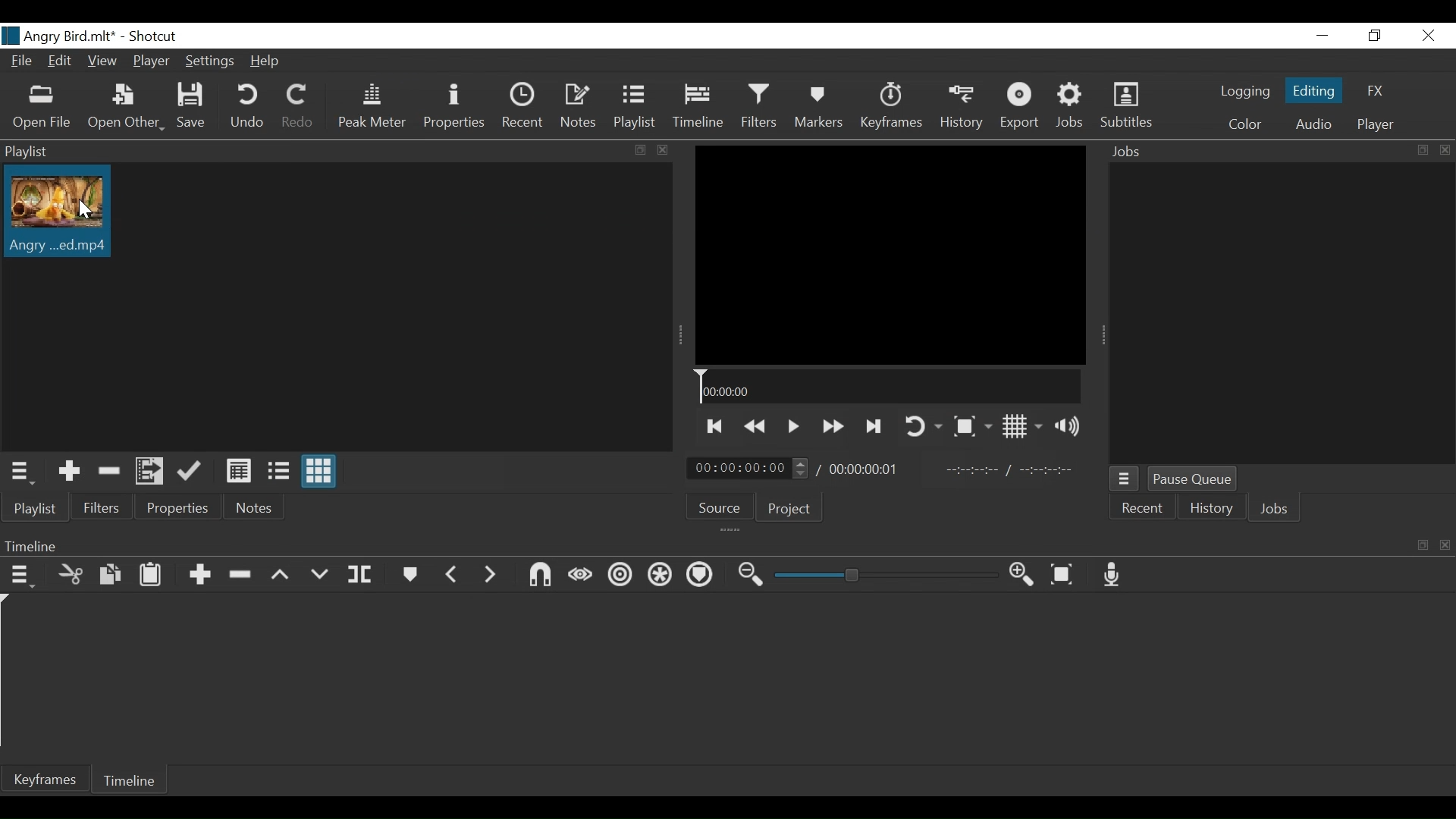 The width and height of the screenshot is (1456, 819). I want to click on Jobs, so click(1276, 510).